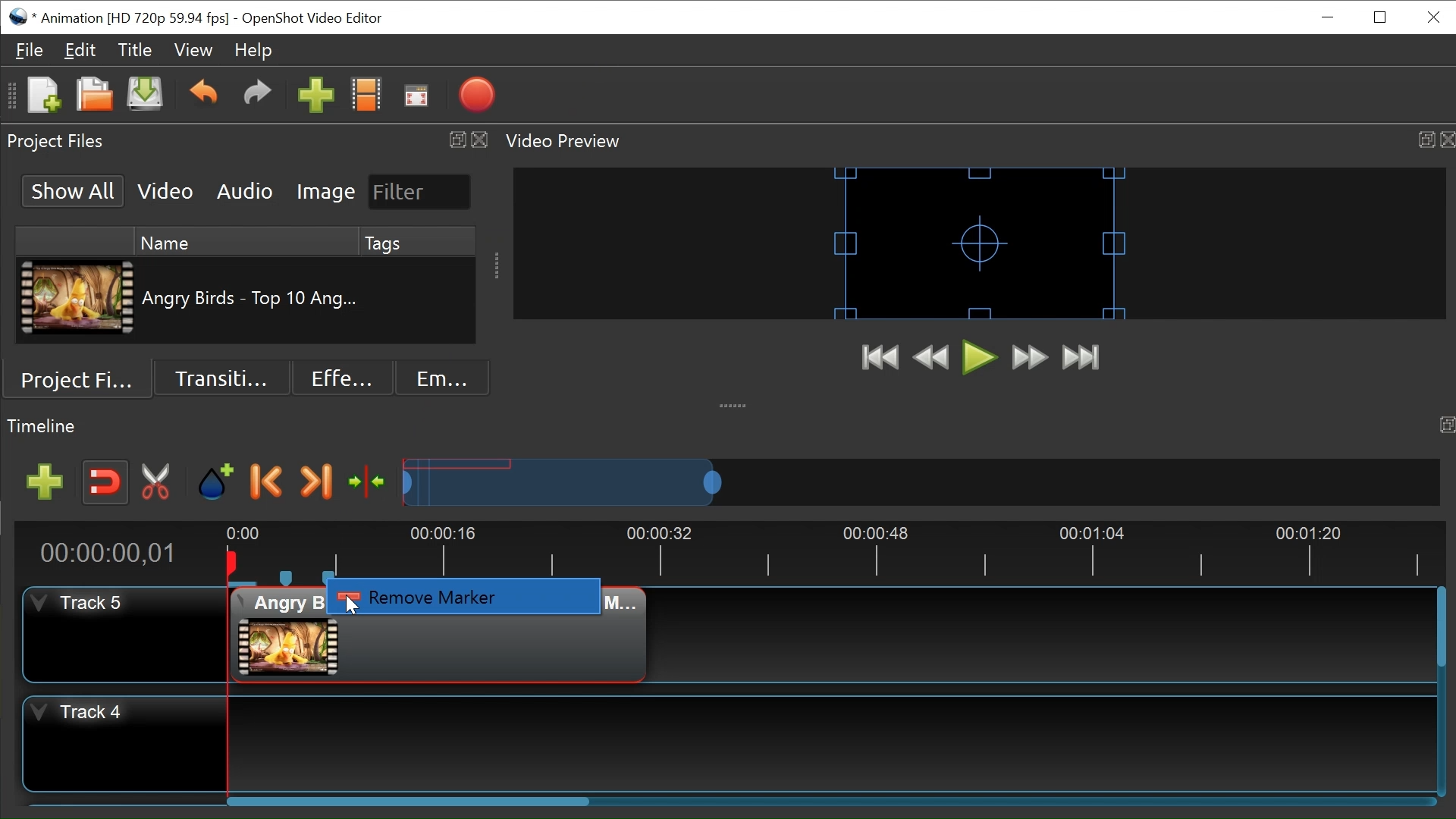 This screenshot has width=1456, height=819. Describe the element at coordinates (105, 483) in the screenshot. I see `Snap` at that location.